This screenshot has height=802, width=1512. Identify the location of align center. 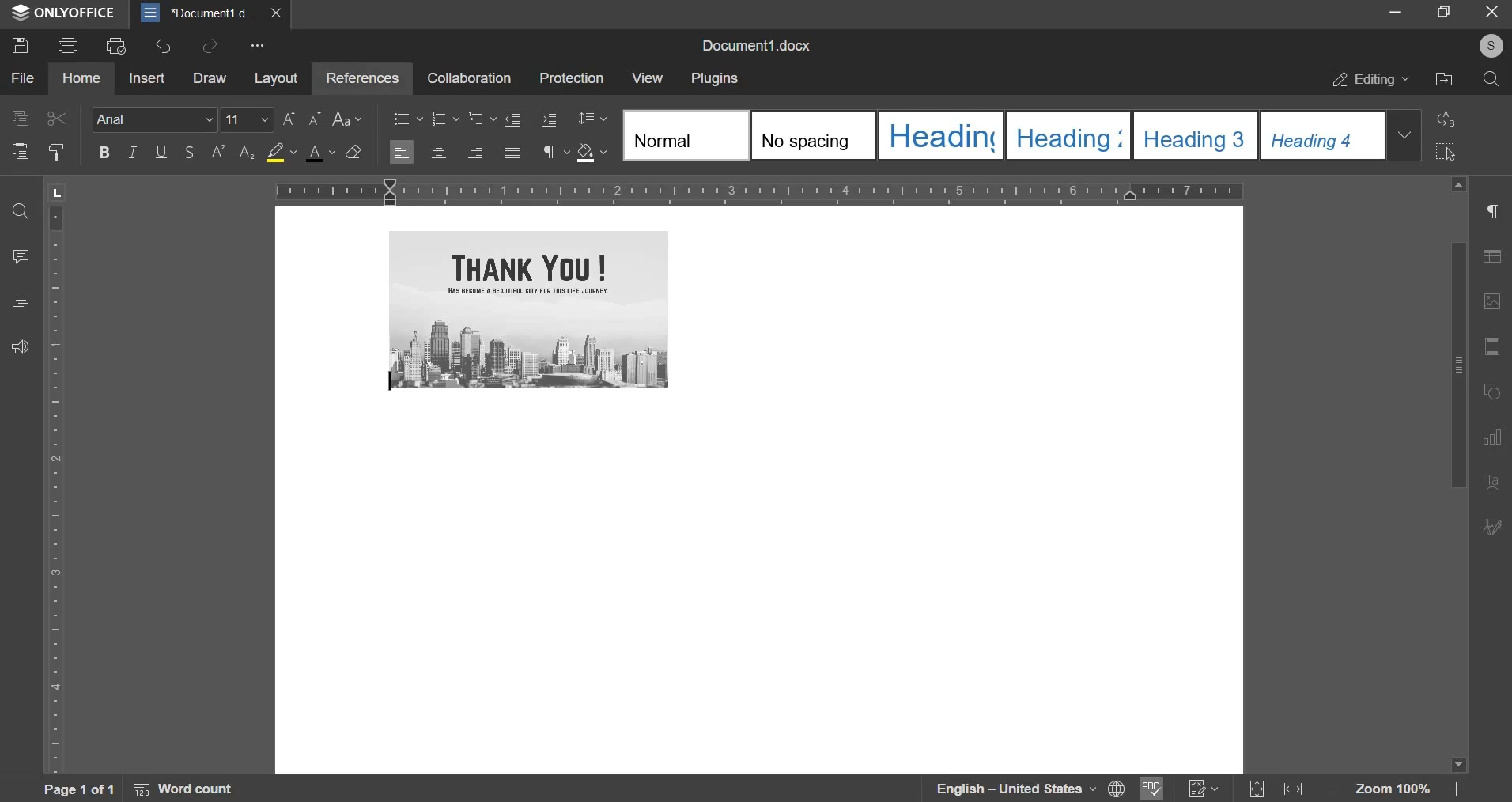
(437, 151).